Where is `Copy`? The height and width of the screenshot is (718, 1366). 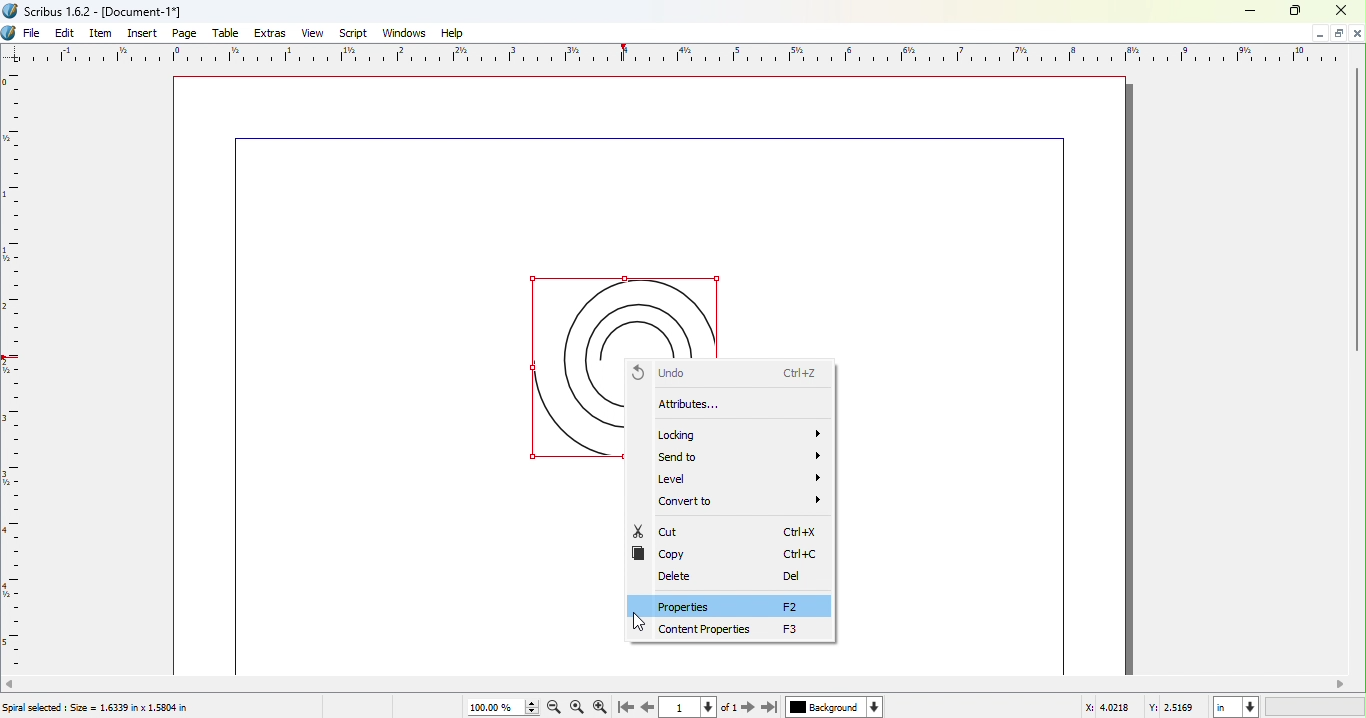 Copy is located at coordinates (731, 554).